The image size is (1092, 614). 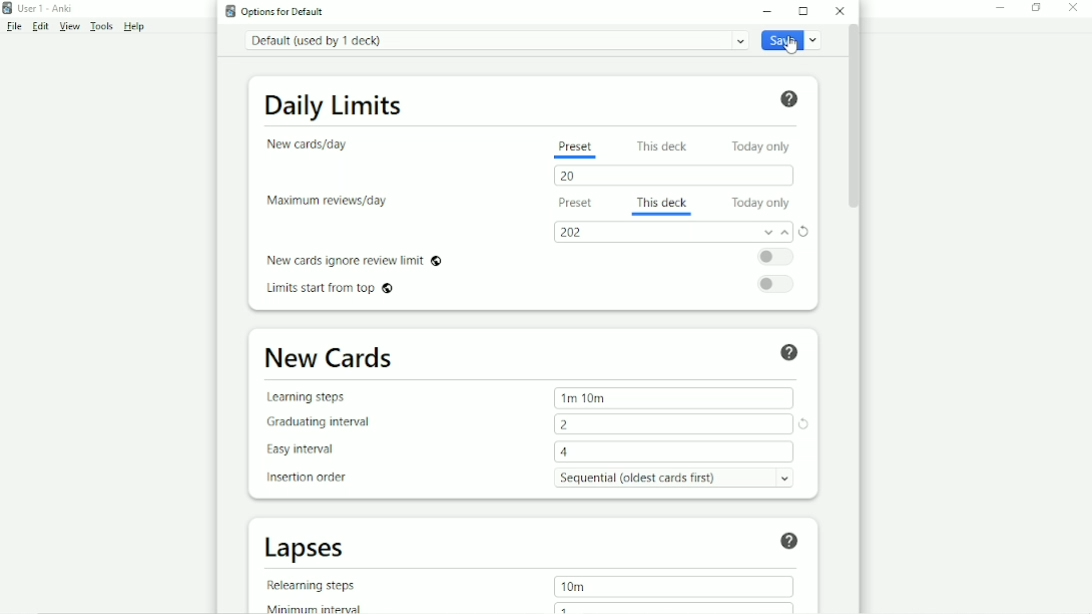 What do you see at coordinates (572, 586) in the screenshot?
I see `10m` at bounding box center [572, 586].